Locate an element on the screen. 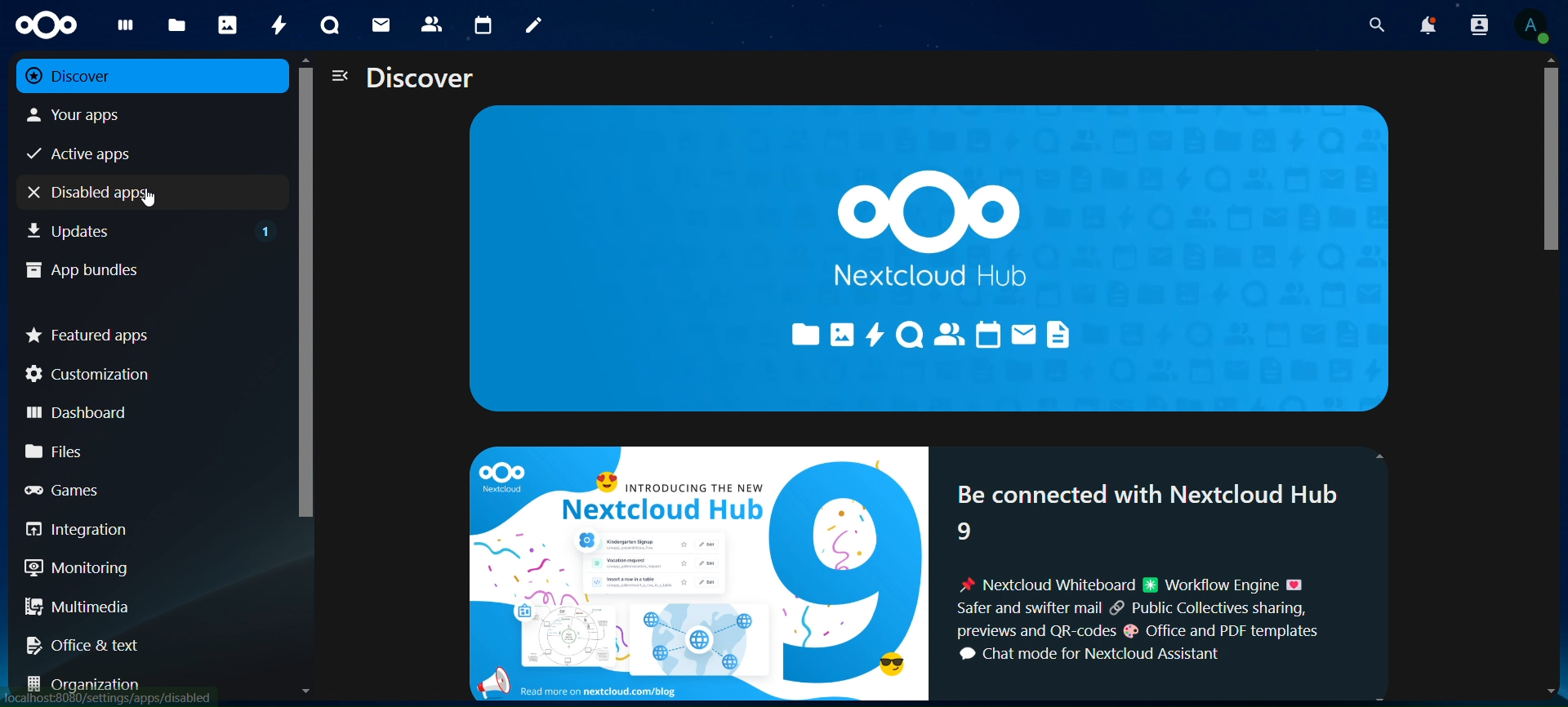 This screenshot has height=707, width=1568. files is located at coordinates (176, 26).